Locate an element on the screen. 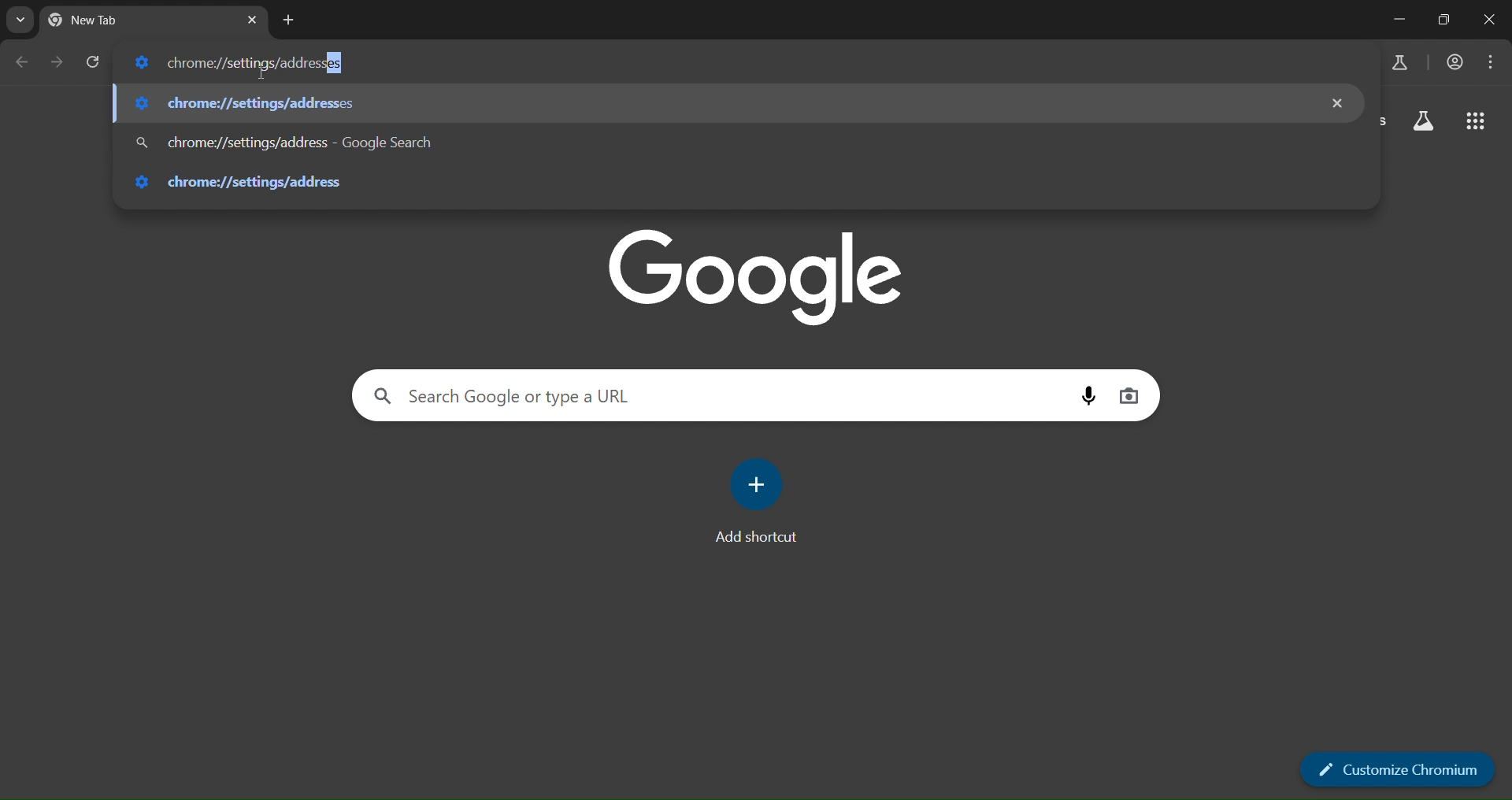  go back one page is located at coordinates (60, 61).